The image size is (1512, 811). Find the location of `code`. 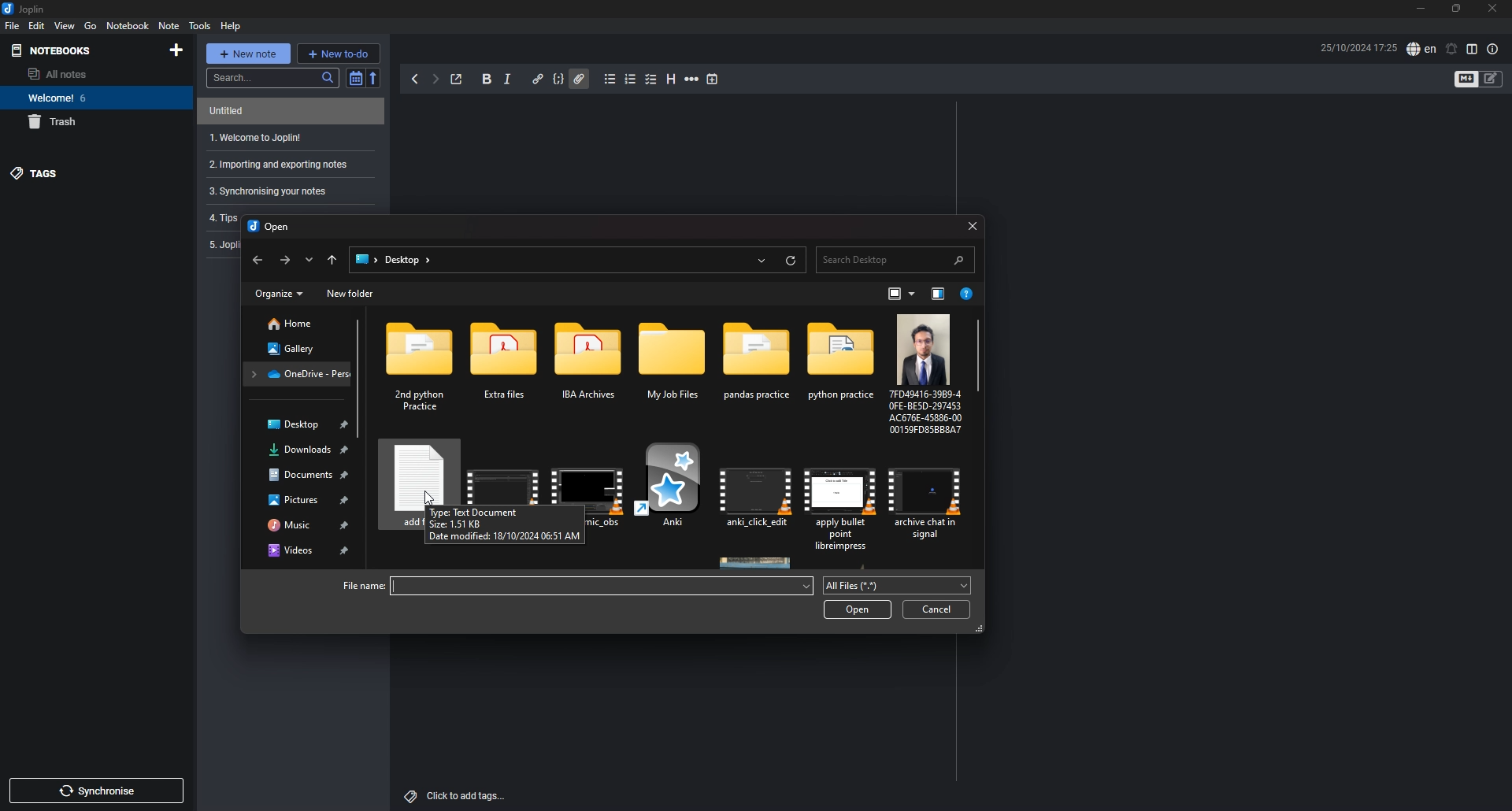

code is located at coordinates (559, 78).